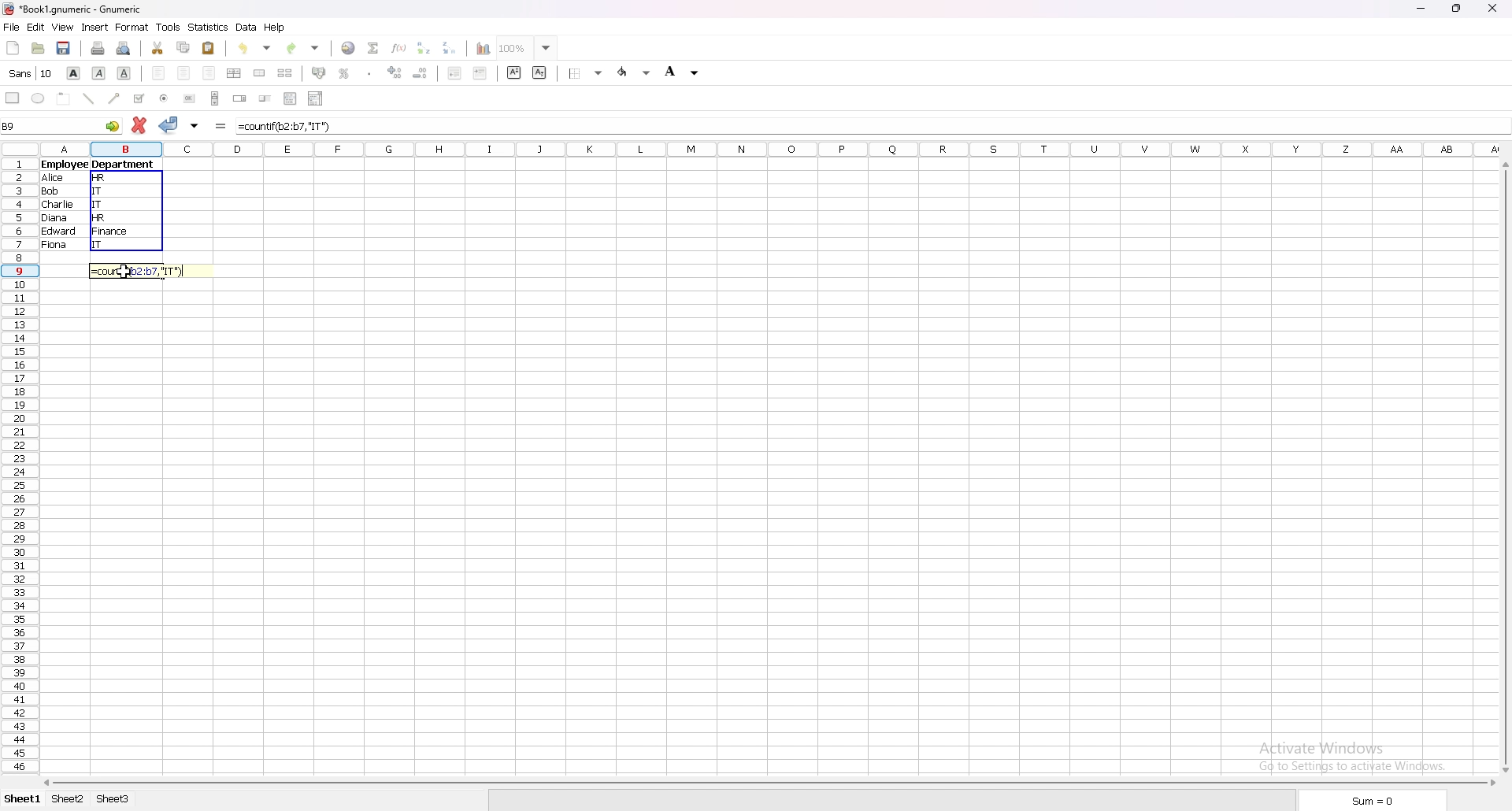  What do you see at coordinates (291, 98) in the screenshot?
I see `list` at bounding box center [291, 98].